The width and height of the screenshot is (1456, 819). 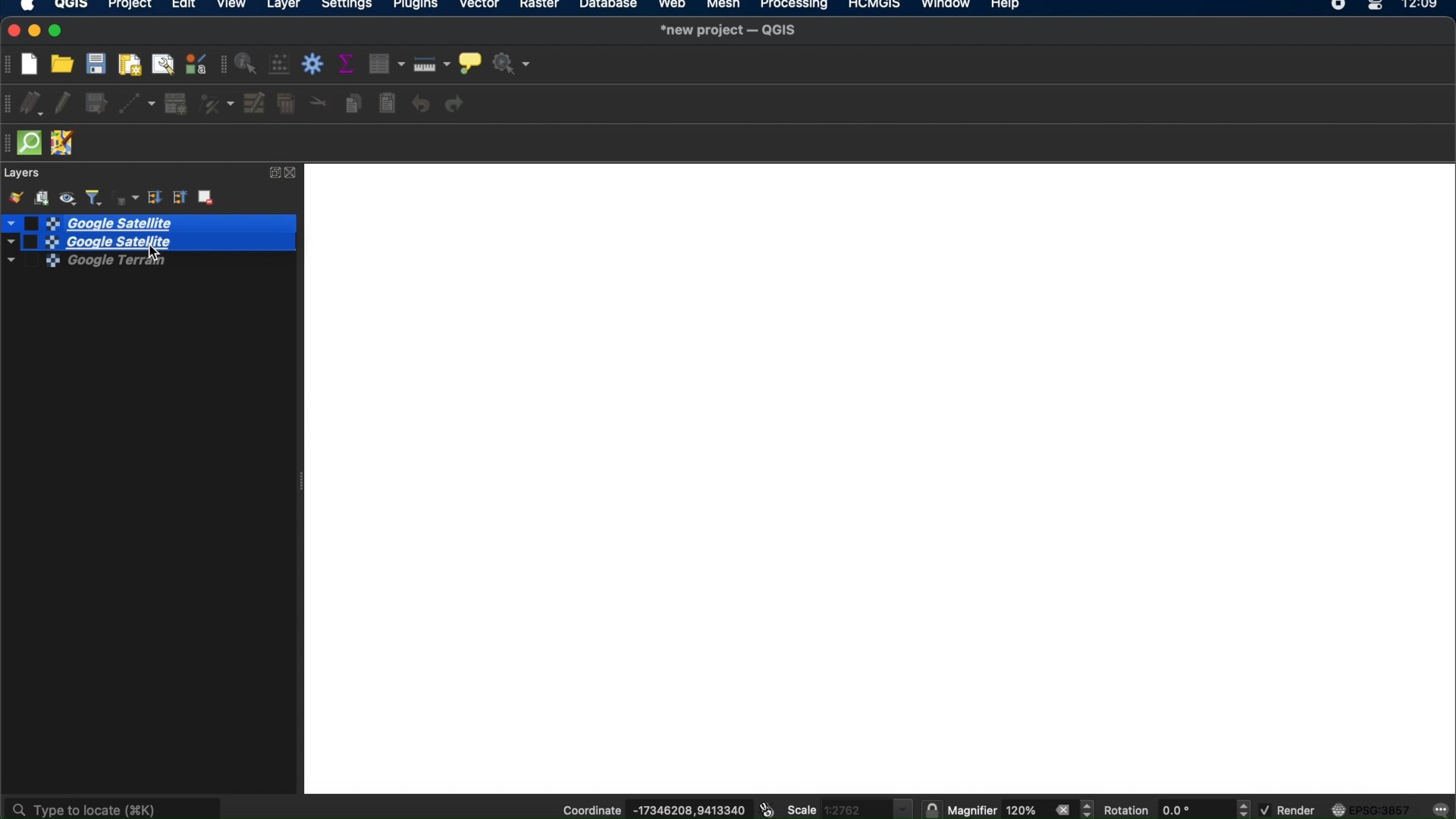 I want to click on minimize, so click(x=36, y=31).